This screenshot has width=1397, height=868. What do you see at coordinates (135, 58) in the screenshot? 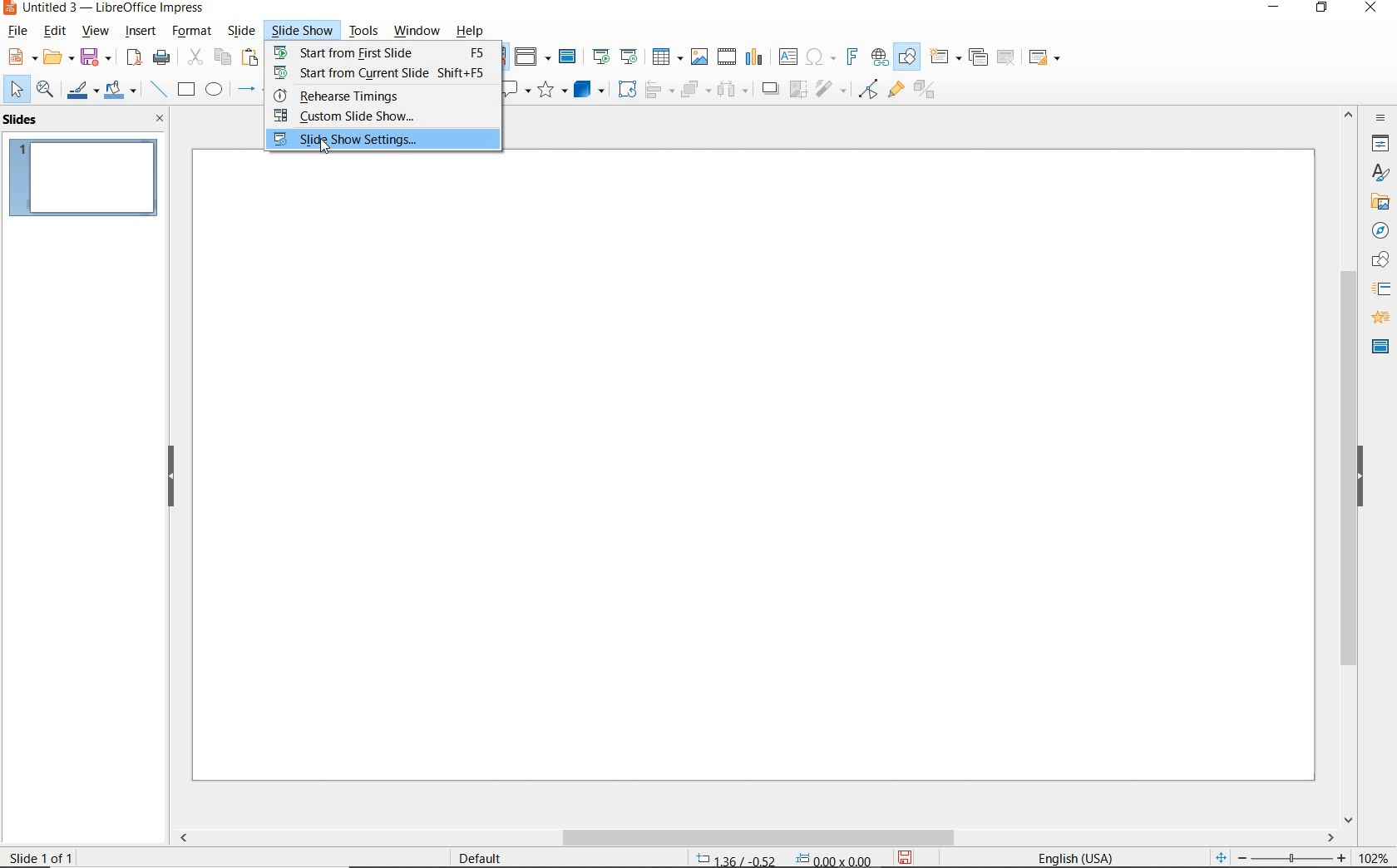
I see `EXPORT AS PDF` at bounding box center [135, 58].